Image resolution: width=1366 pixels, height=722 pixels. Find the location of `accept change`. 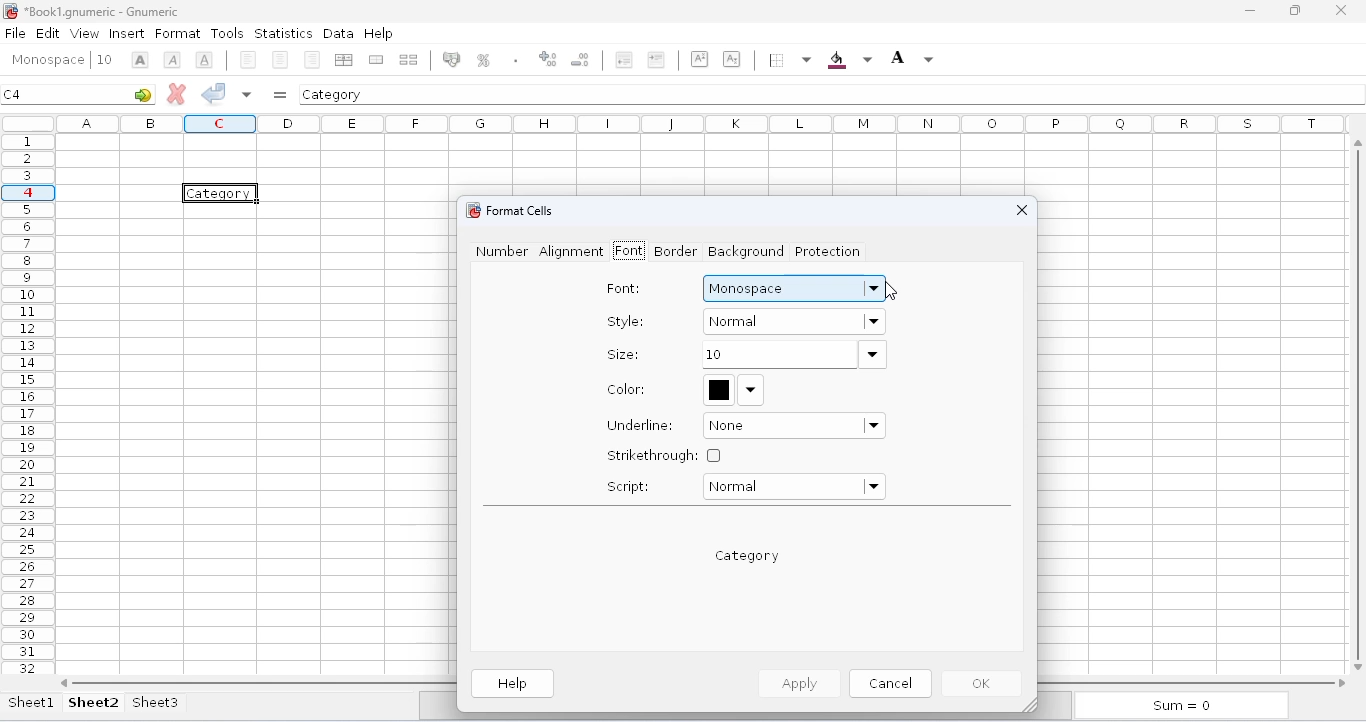

accept change is located at coordinates (214, 92).